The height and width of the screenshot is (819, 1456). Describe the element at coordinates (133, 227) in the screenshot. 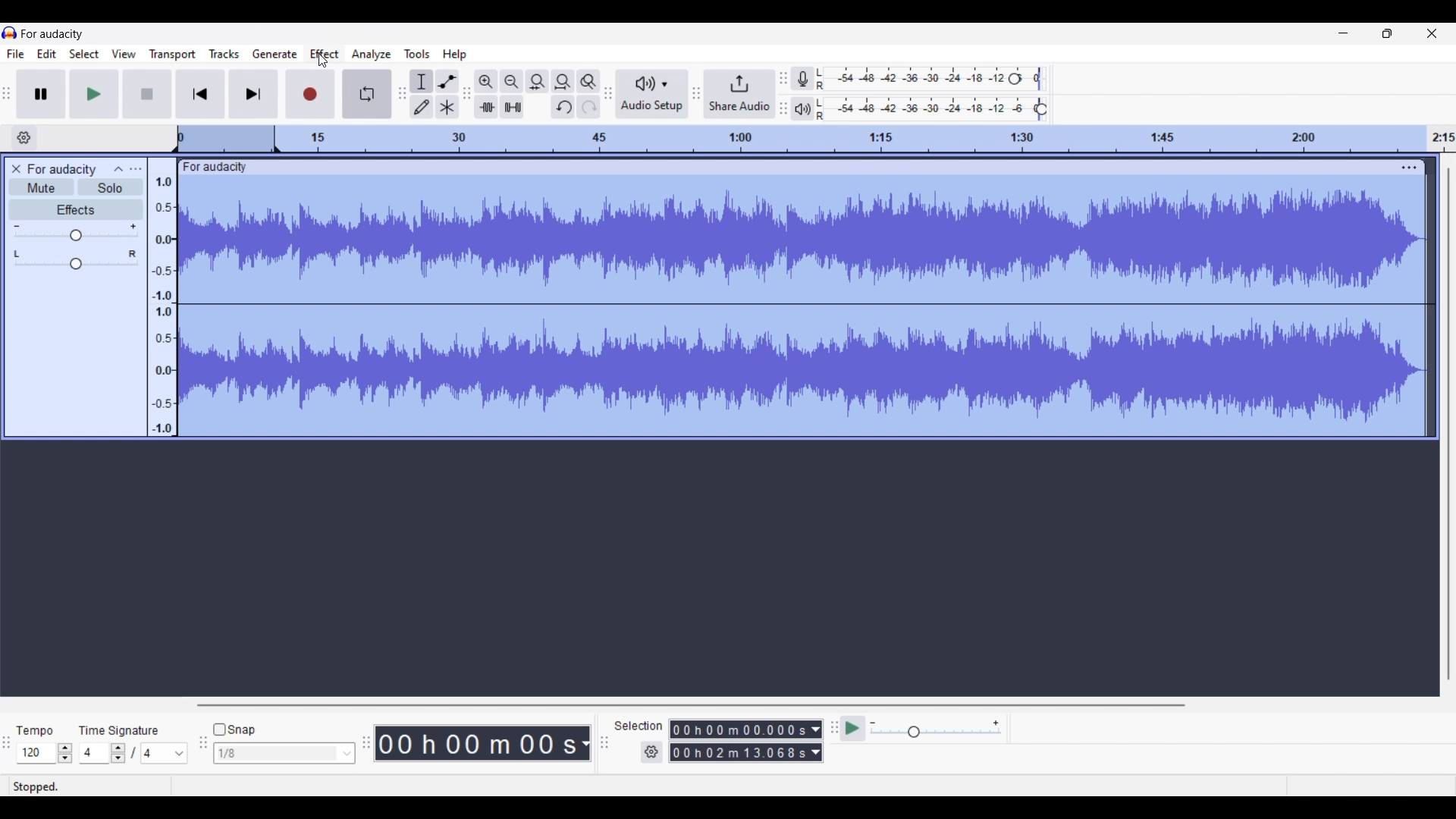

I see `Max. gain` at that location.